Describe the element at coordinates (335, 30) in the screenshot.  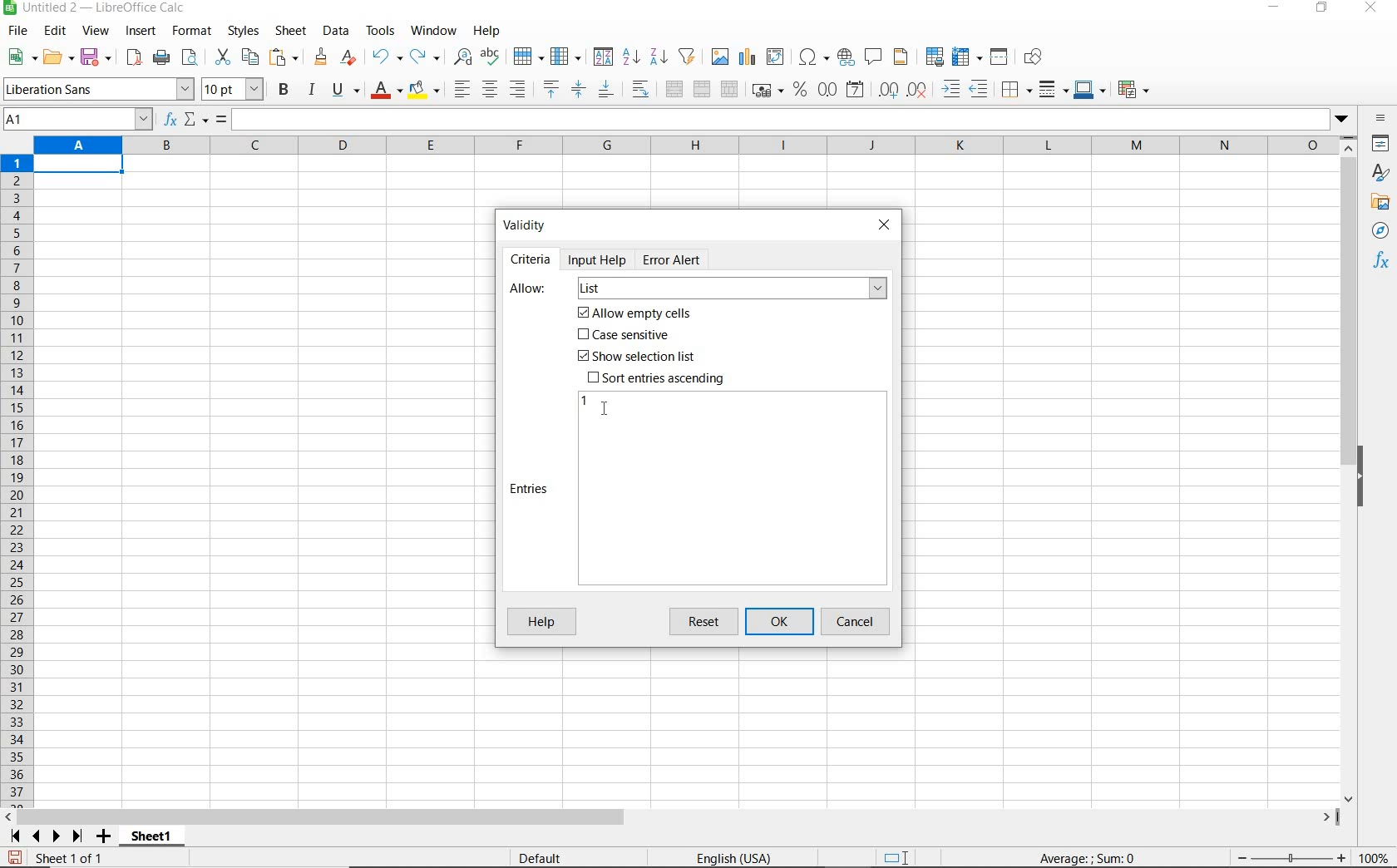
I see `data` at that location.